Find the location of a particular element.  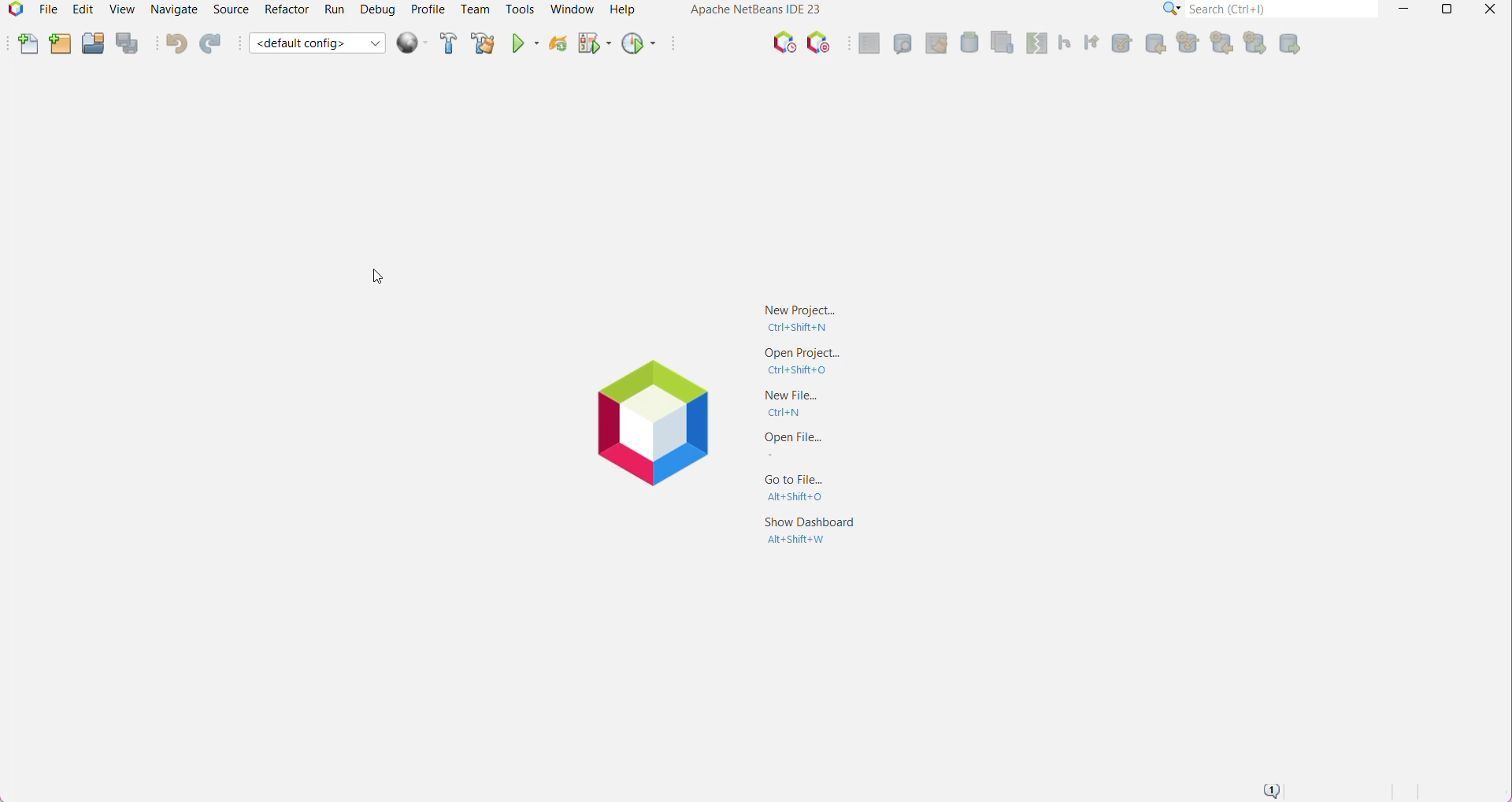

Source is located at coordinates (231, 9).